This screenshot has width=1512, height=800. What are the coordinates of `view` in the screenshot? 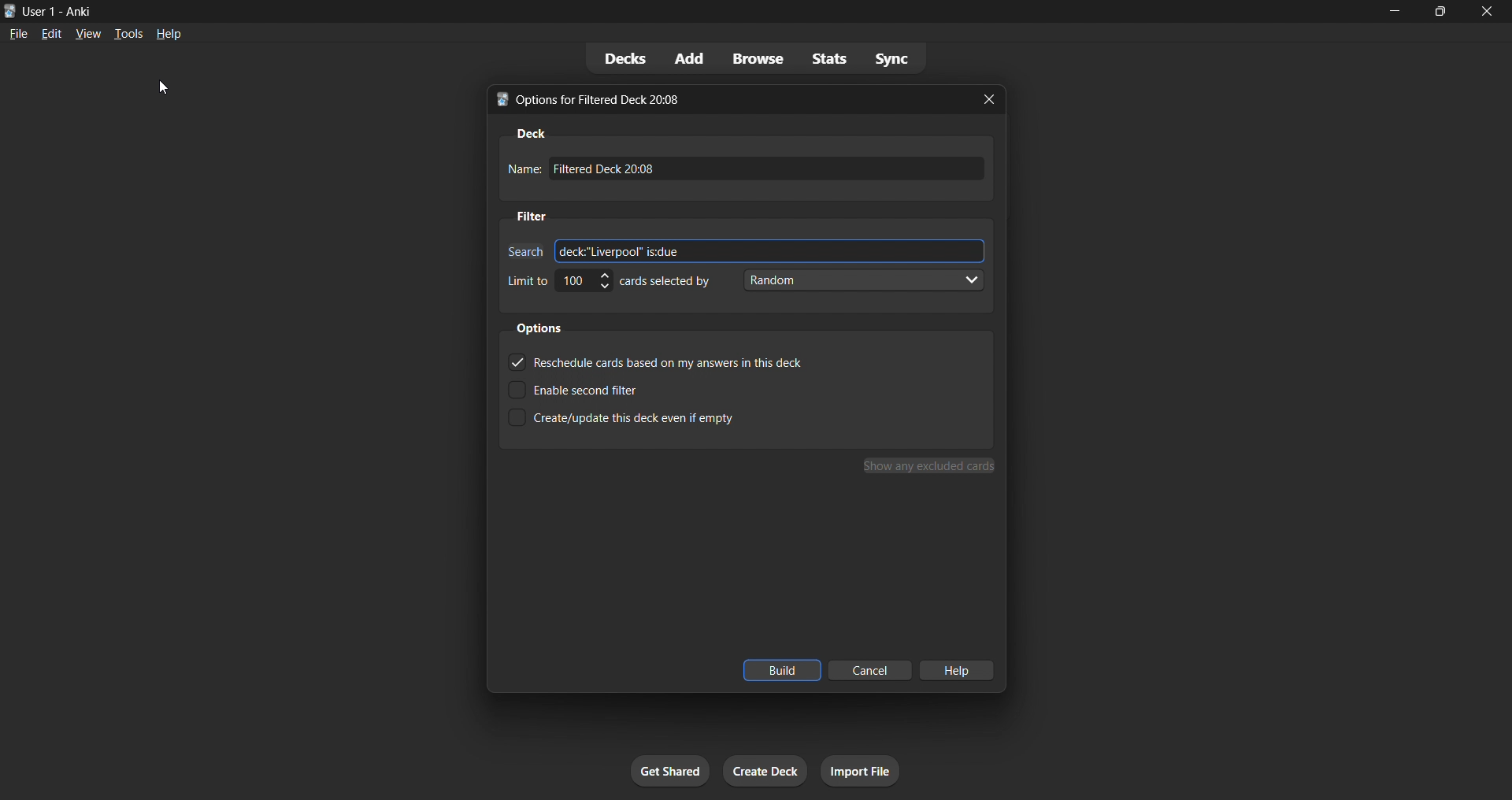 It's located at (86, 35).